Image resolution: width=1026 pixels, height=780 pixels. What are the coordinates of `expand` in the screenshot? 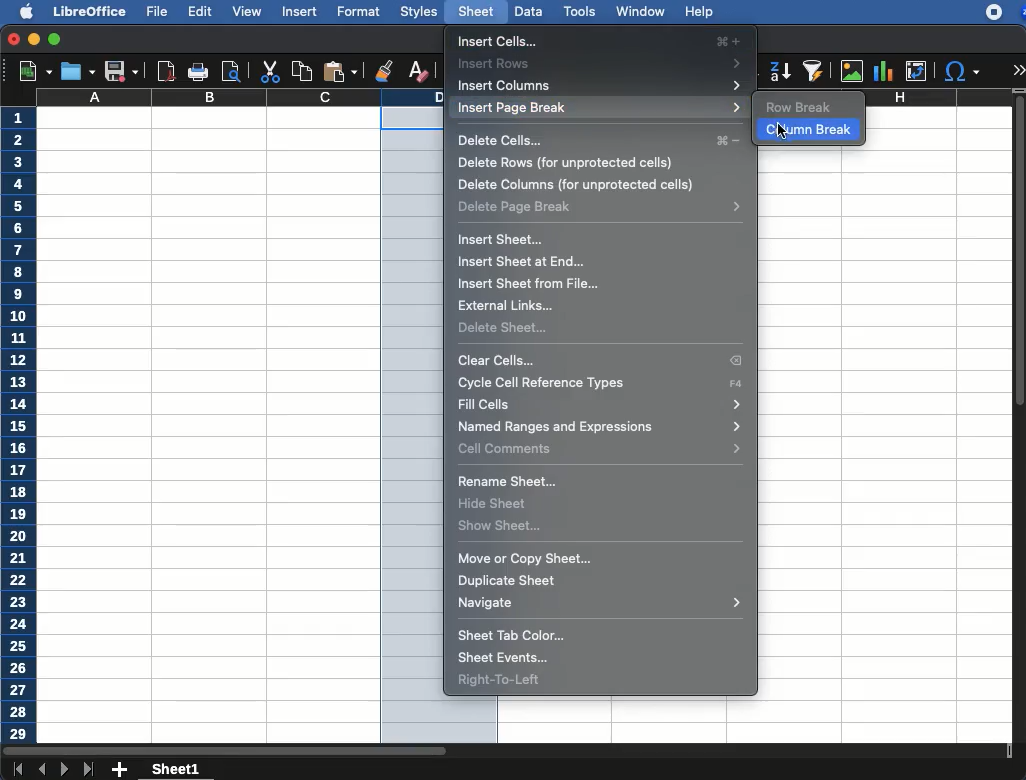 It's located at (1018, 69).